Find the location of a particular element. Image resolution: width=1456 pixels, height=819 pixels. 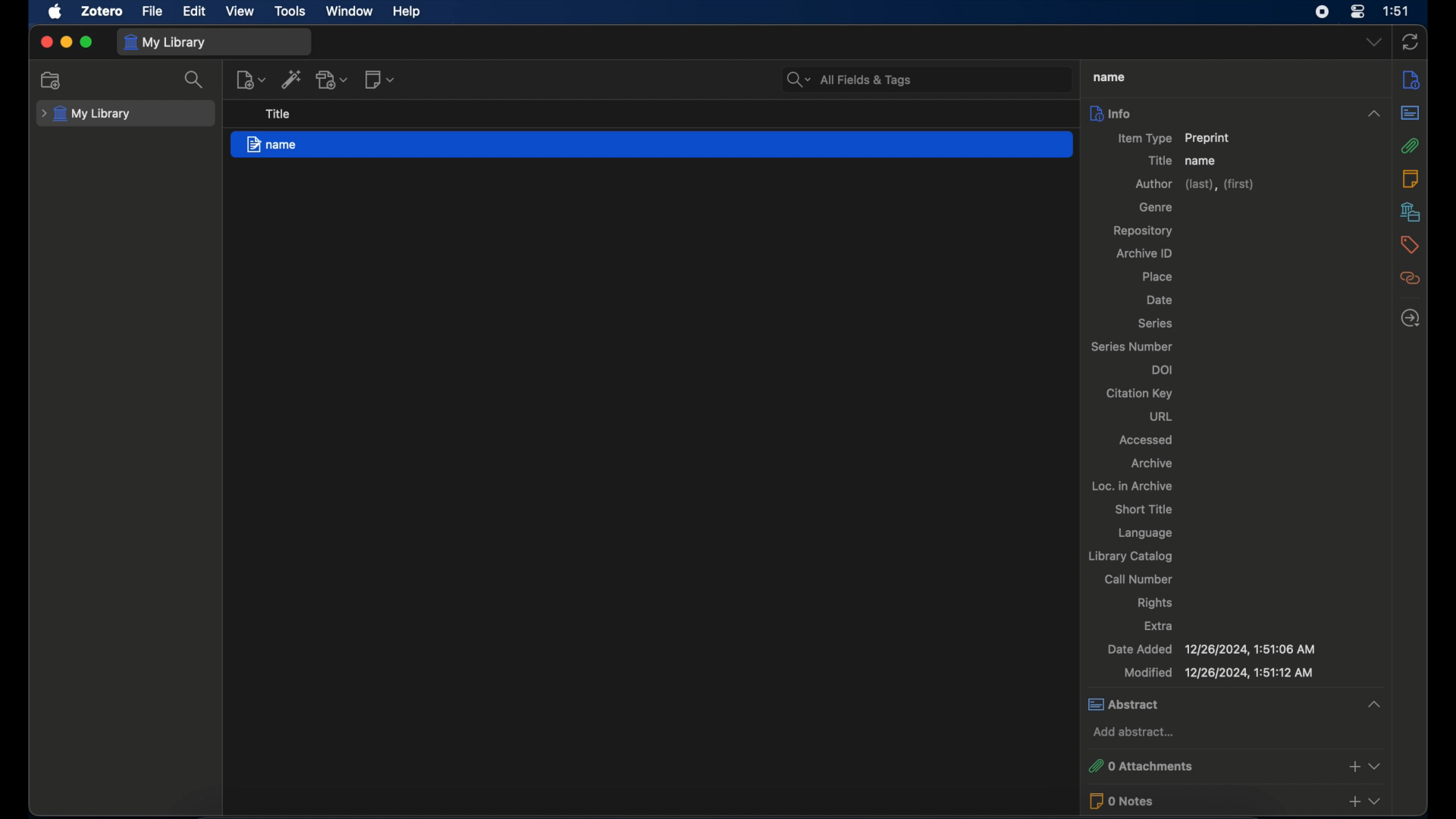

language is located at coordinates (1147, 532).